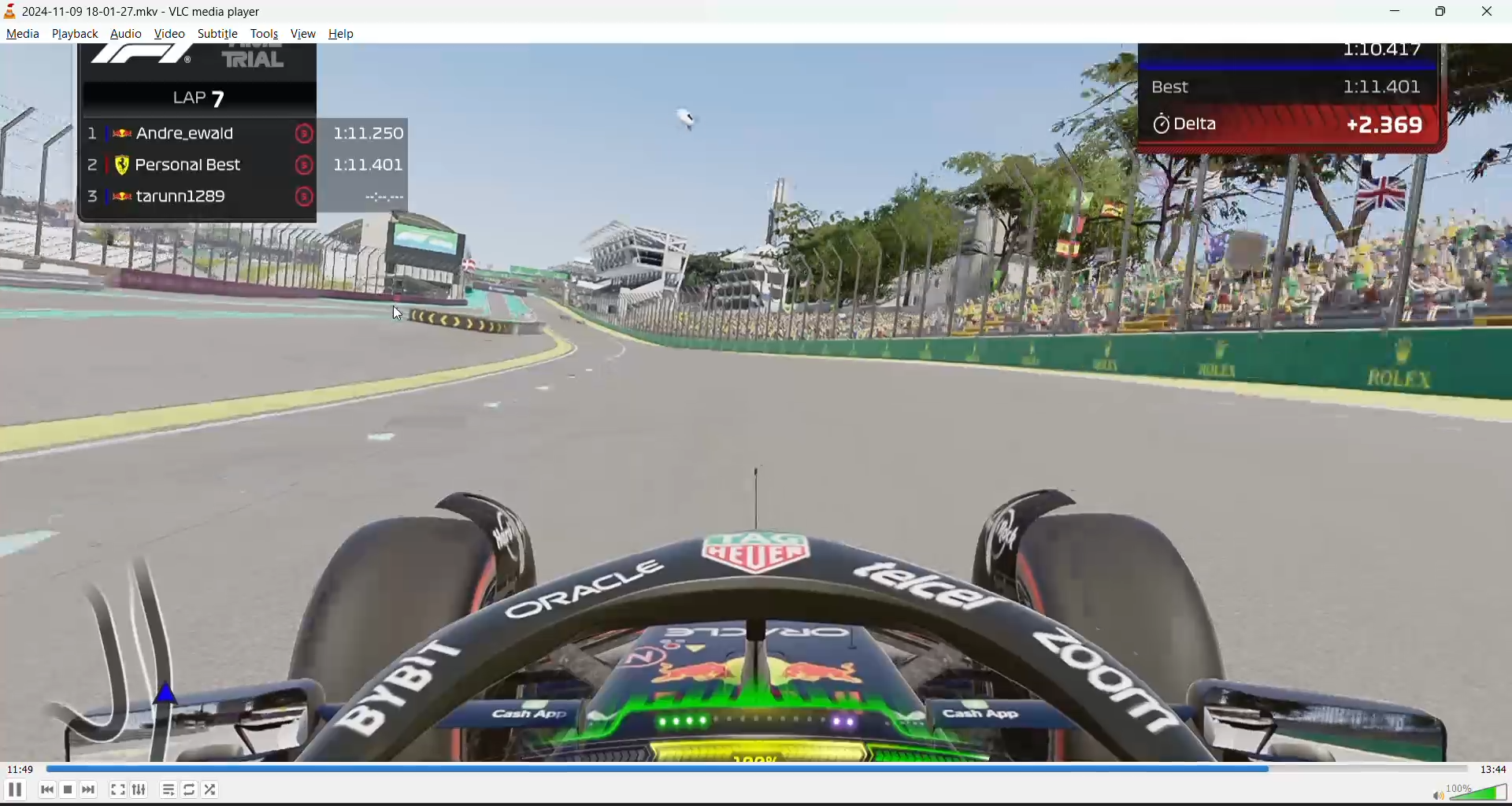 The image size is (1512, 806). Describe the element at coordinates (751, 767) in the screenshot. I see `track slider` at that location.